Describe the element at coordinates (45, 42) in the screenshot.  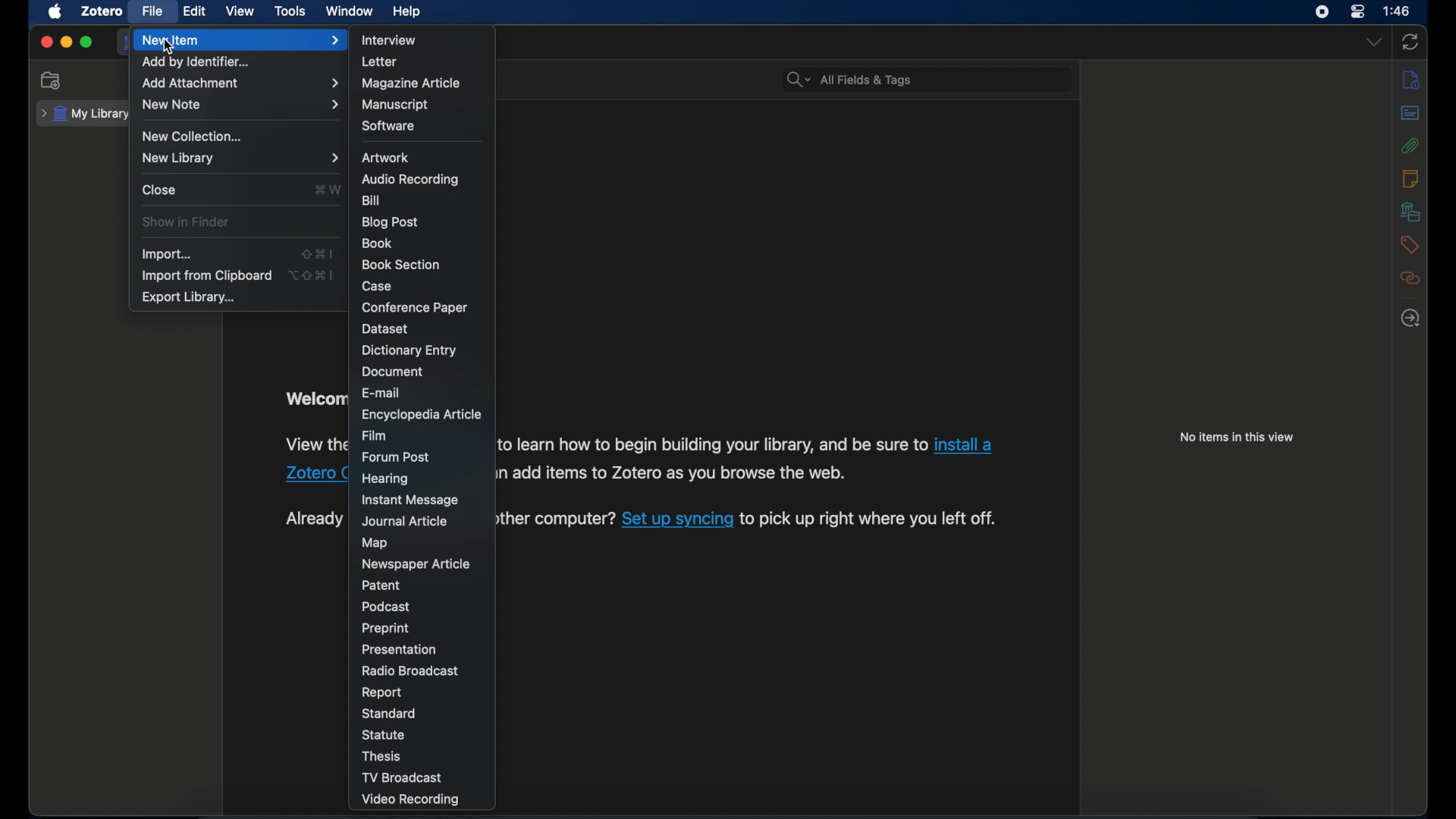
I see `close` at that location.